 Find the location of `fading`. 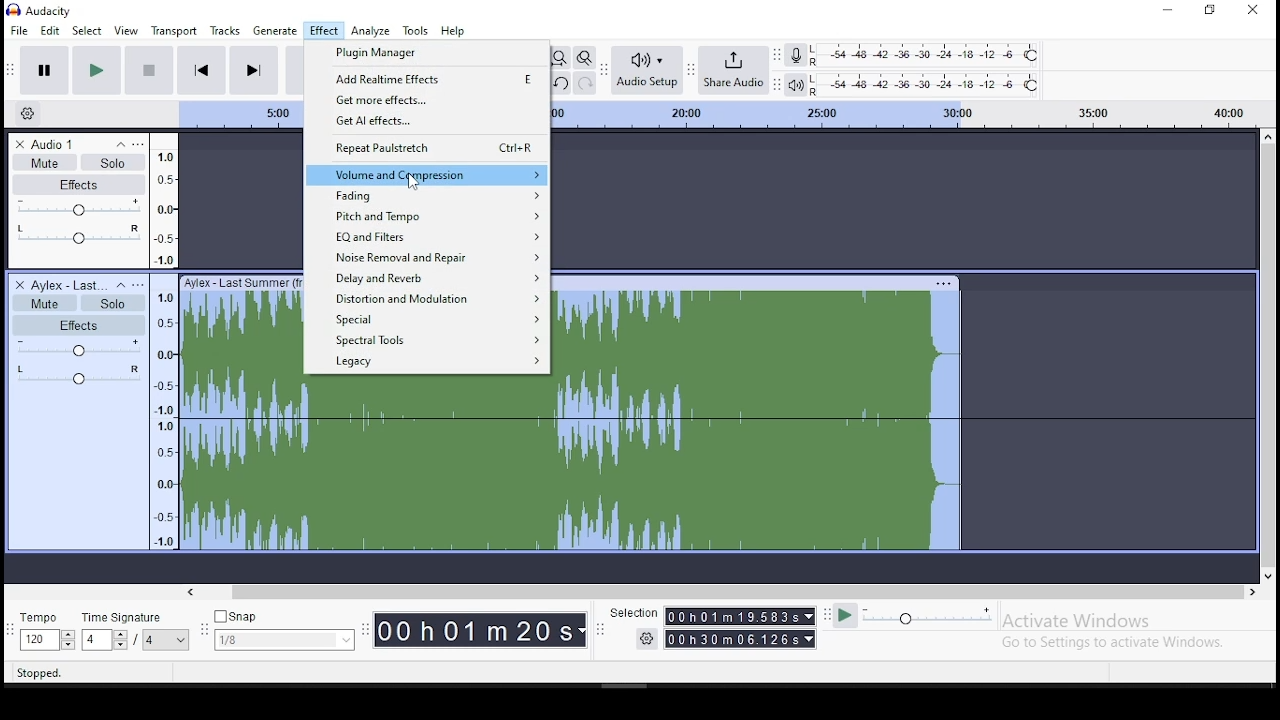

fading is located at coordinates (428, 197).